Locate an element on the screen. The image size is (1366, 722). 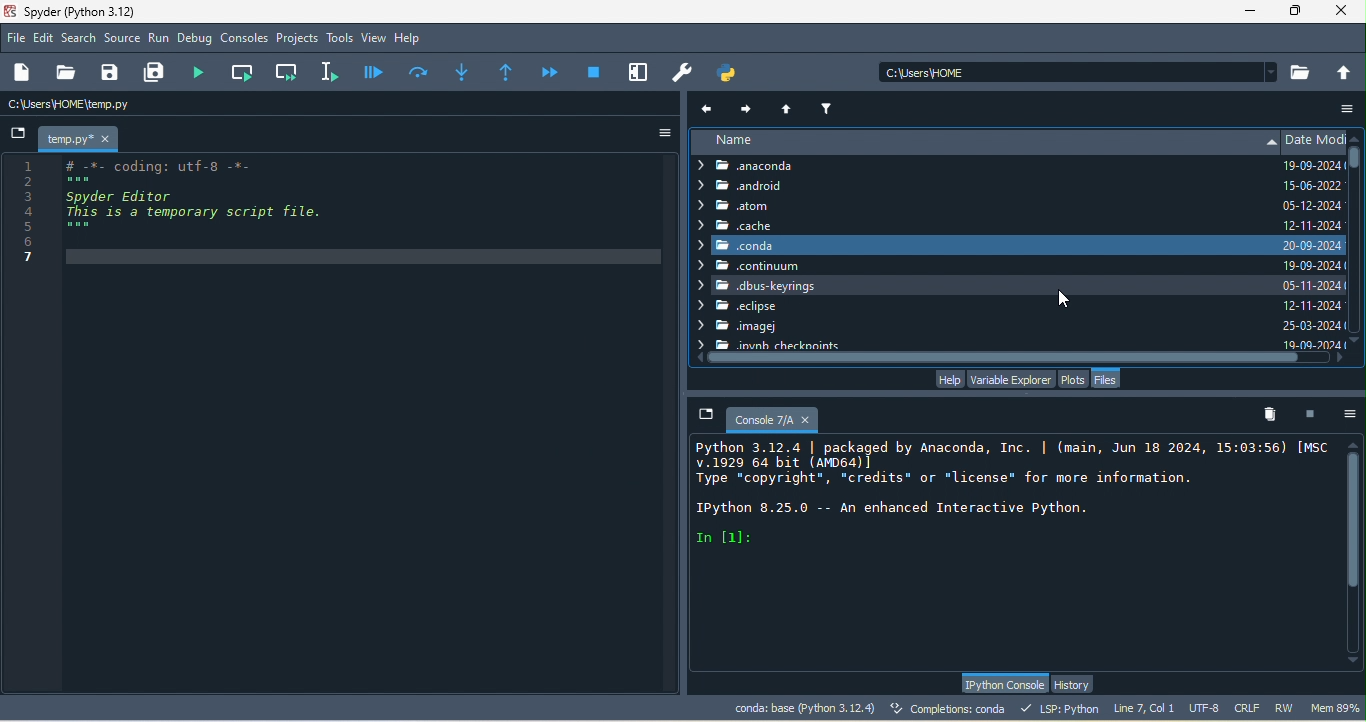
pythonpath manager is located at coordinates (732, 73).